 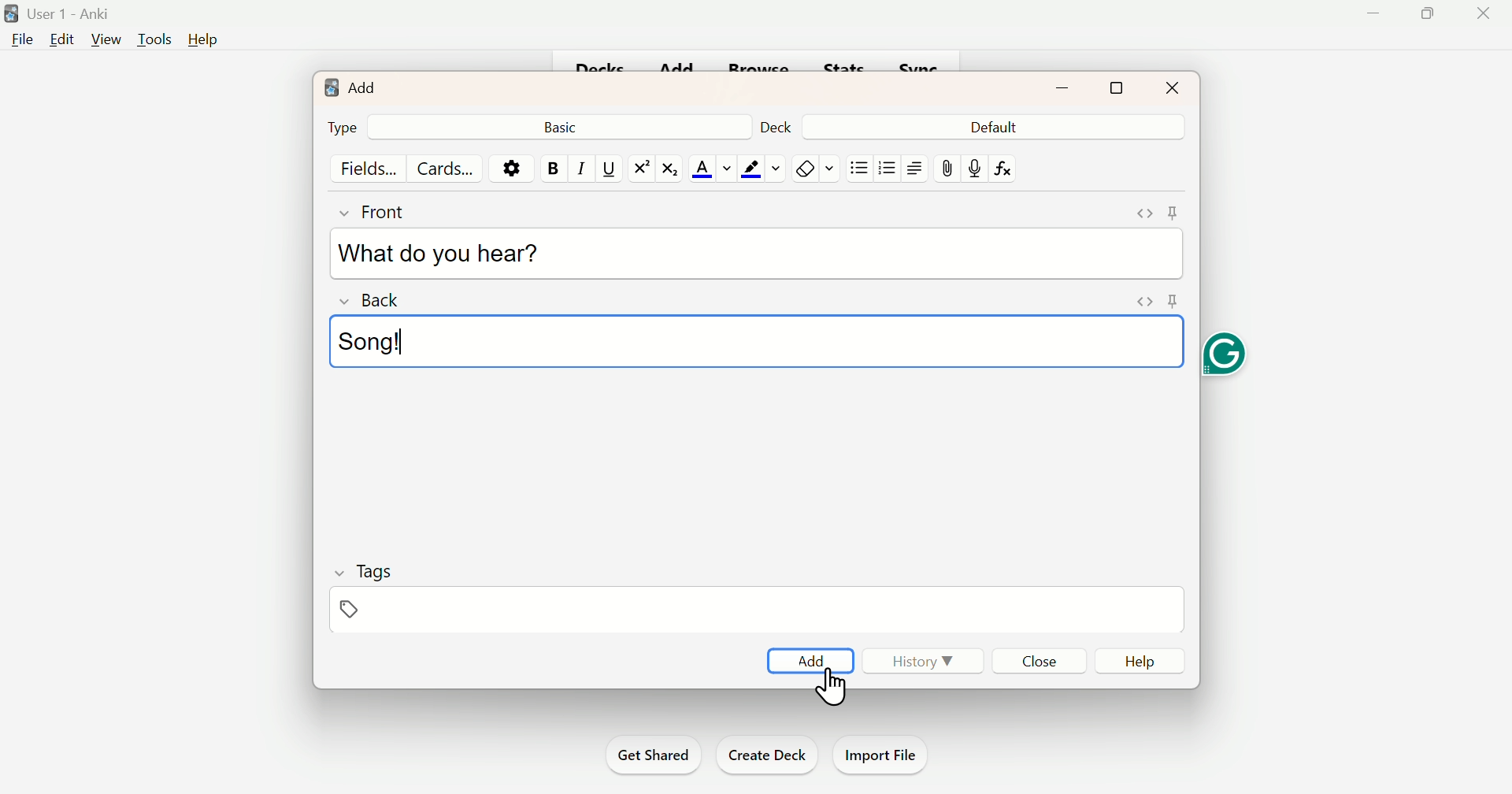 What do you see at coordinates (1009, 168) in the screenshot?
I see `fx` at bounding box center [1009, 168].